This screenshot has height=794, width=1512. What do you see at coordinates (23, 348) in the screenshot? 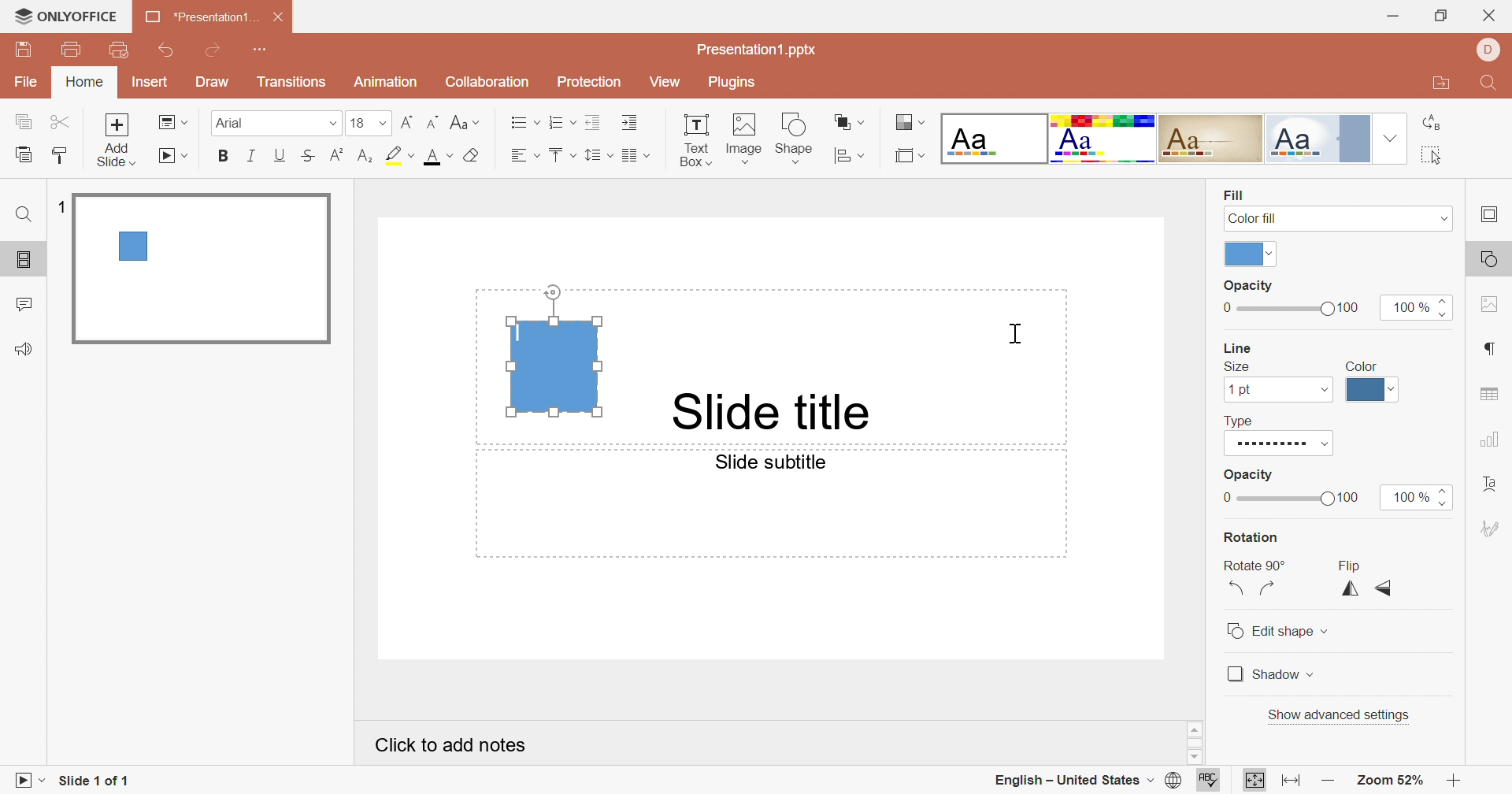
I see `feedback & support` at bounding box center [23, 348].